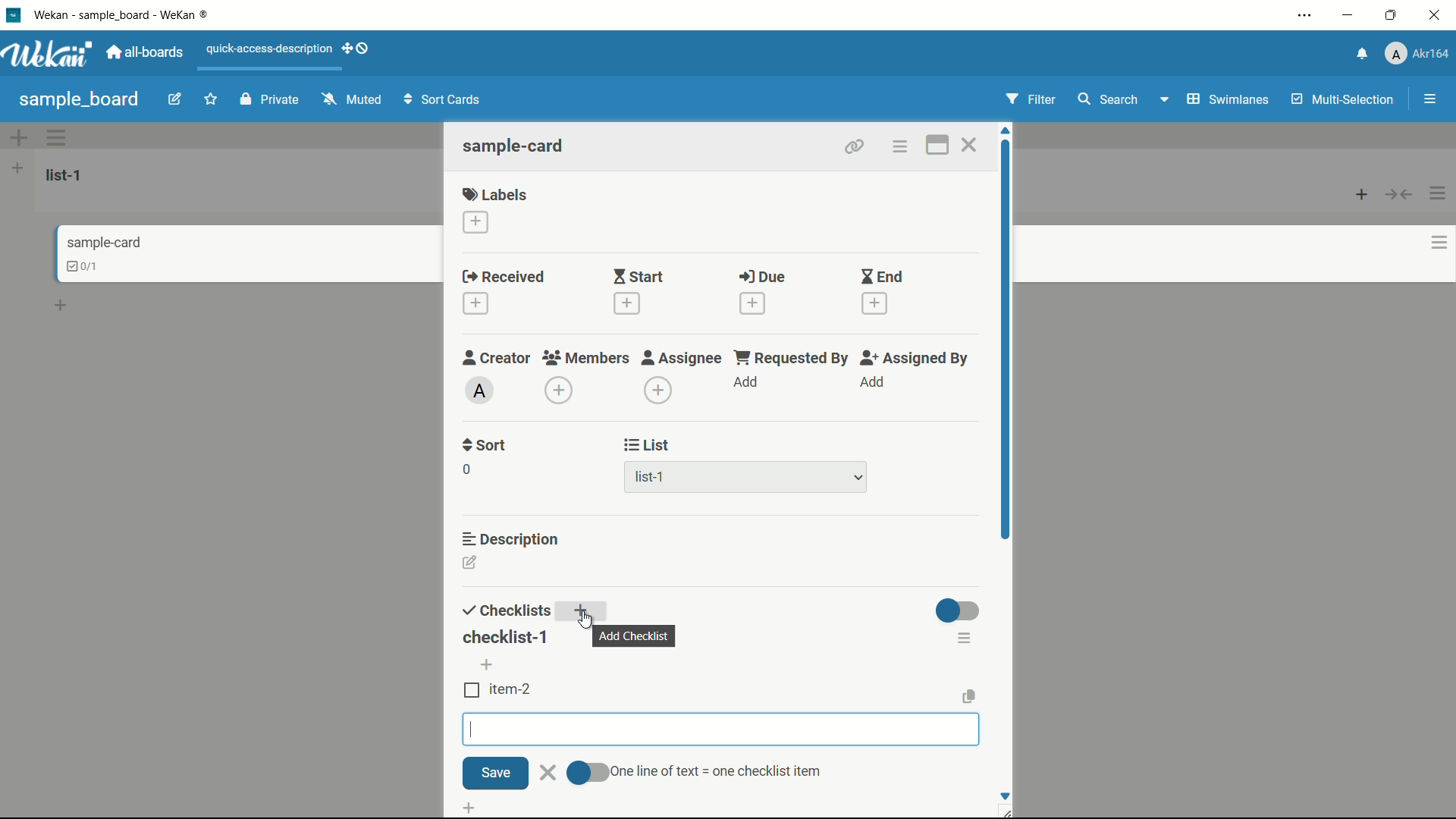 This screenshot has height=819, width=1456. What do you see at coordinates (270, 49) in the screenshot?
I see `quick-access-description` at bounding box center [270, 49].